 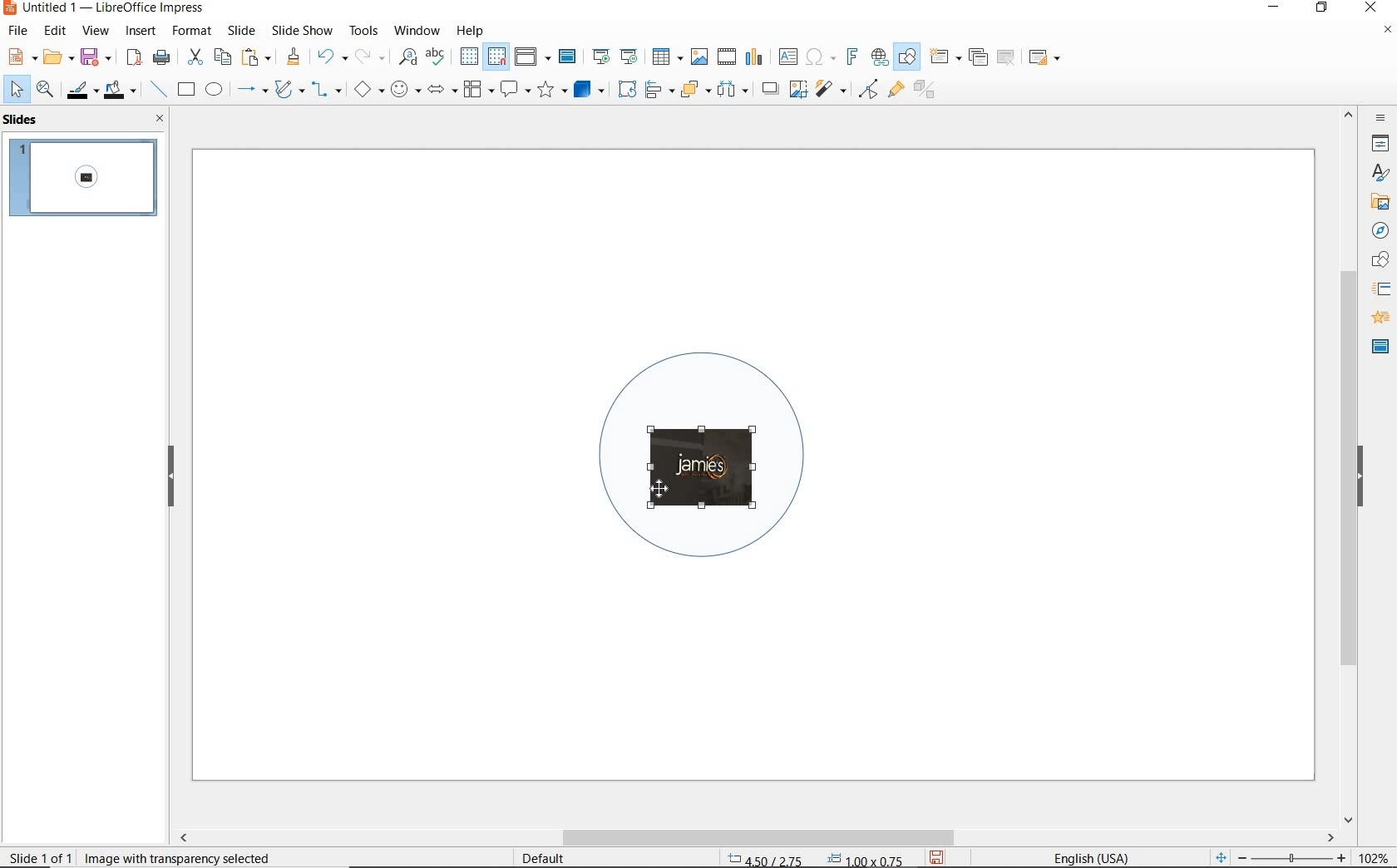 I want to click on flowchart, so click(x=477, y=91).